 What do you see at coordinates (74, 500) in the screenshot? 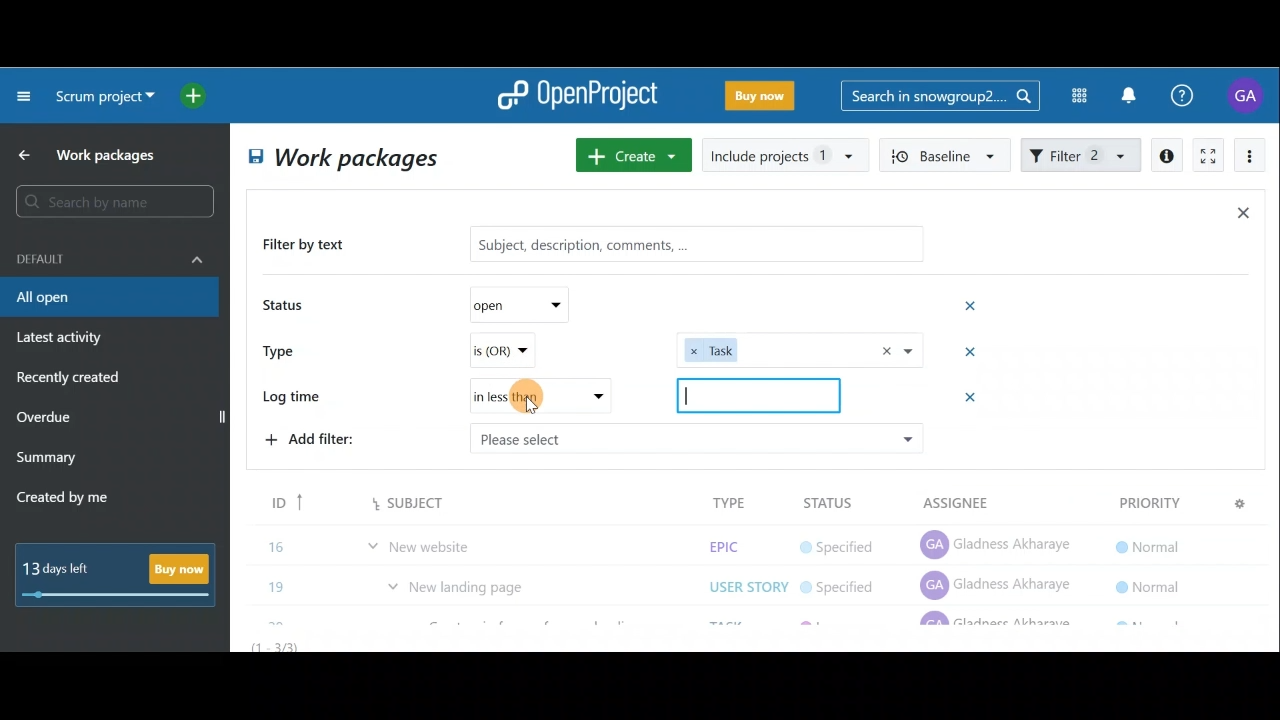
I see `Created by me` at bounding box center [74, 500].